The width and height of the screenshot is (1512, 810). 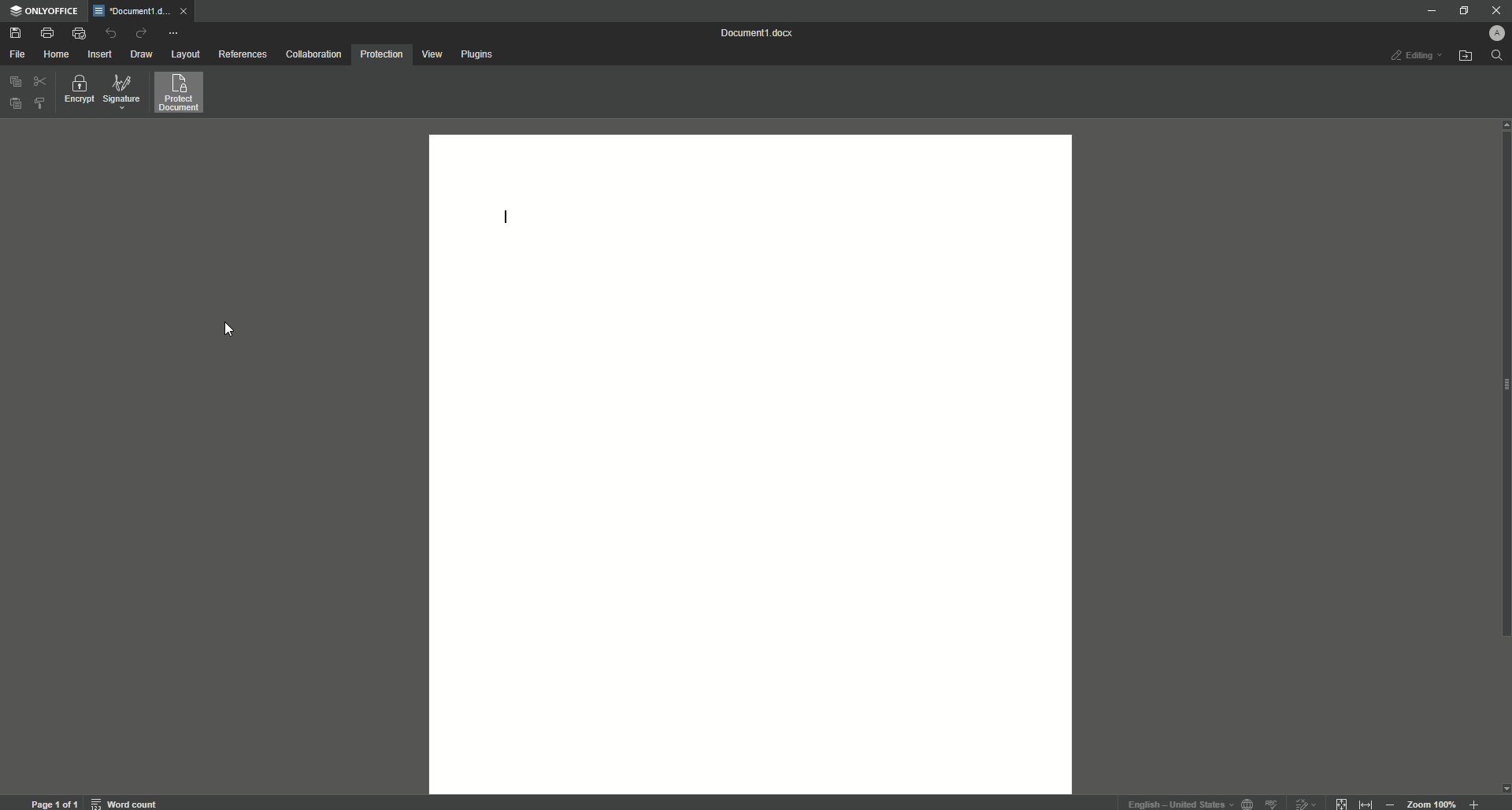 I want to click on Protection, so click(x=383, y=53).